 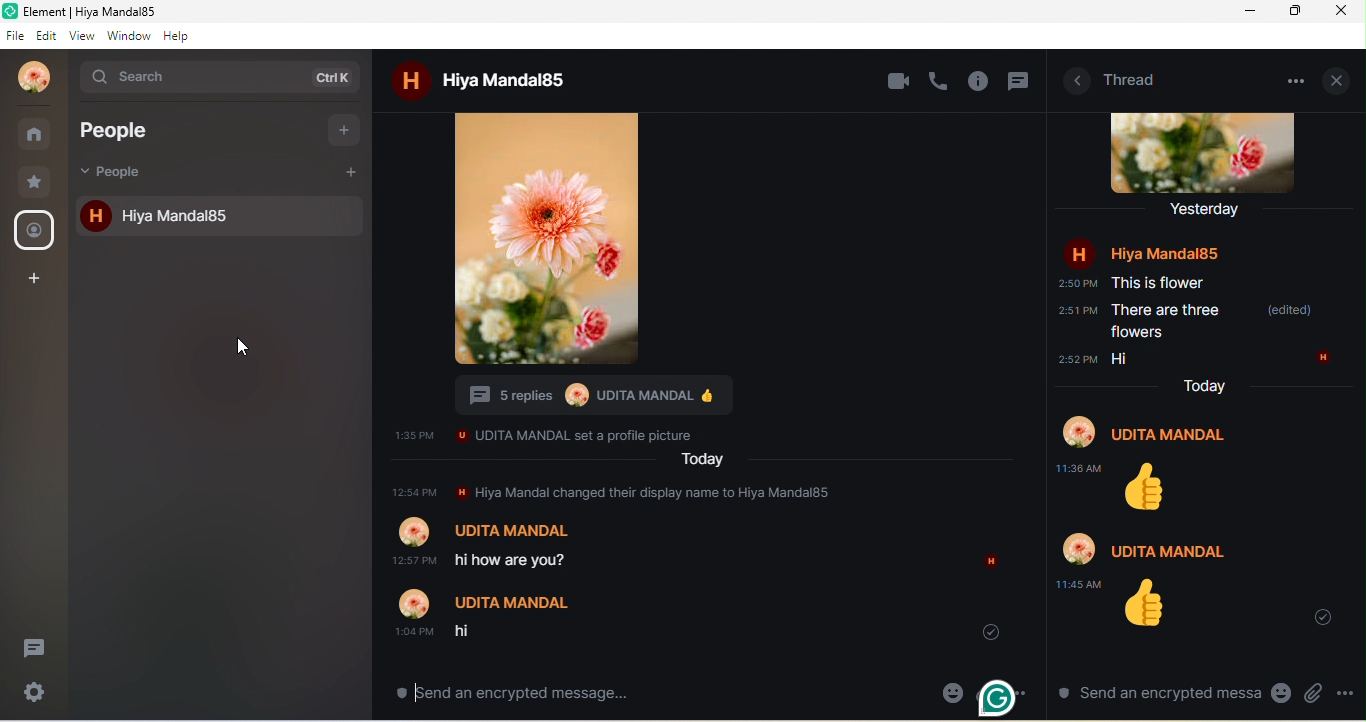 I want to click on emoji, so click(x=952, y=691).